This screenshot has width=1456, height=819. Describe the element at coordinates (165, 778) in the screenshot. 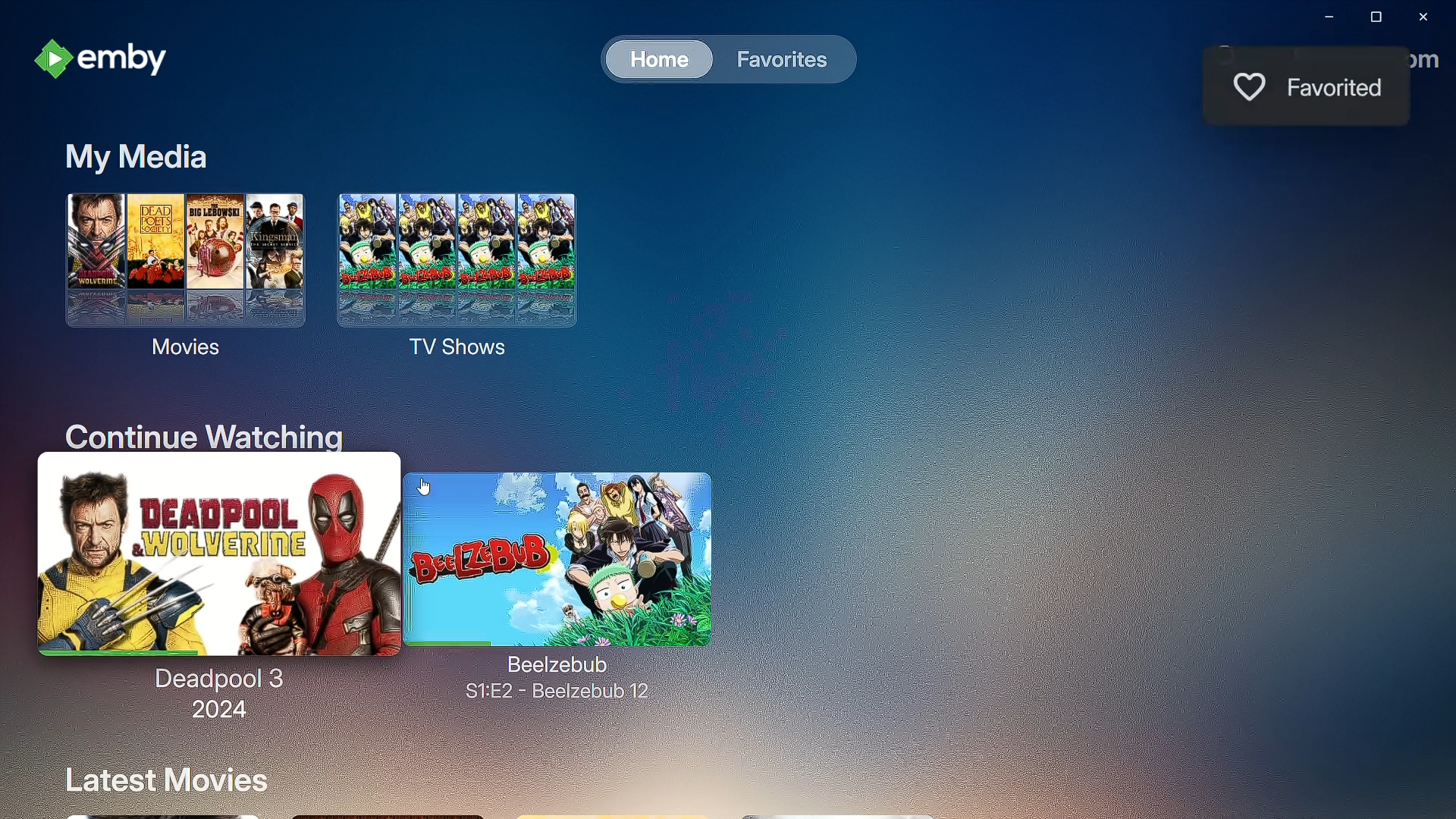

I see `Latest Movies` at that location.